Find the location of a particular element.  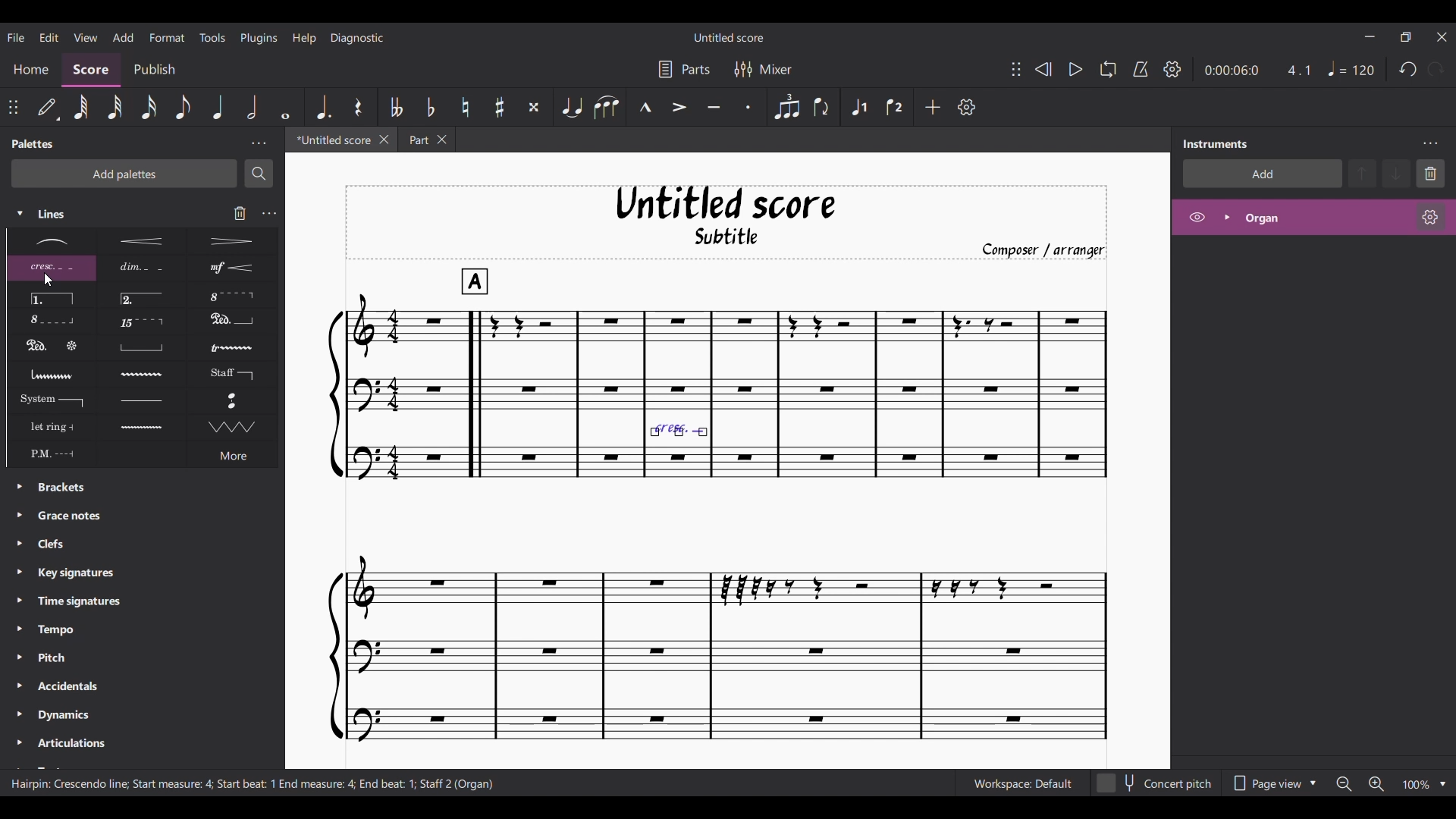

Toggle sharp is located at coordinates (499, 107).